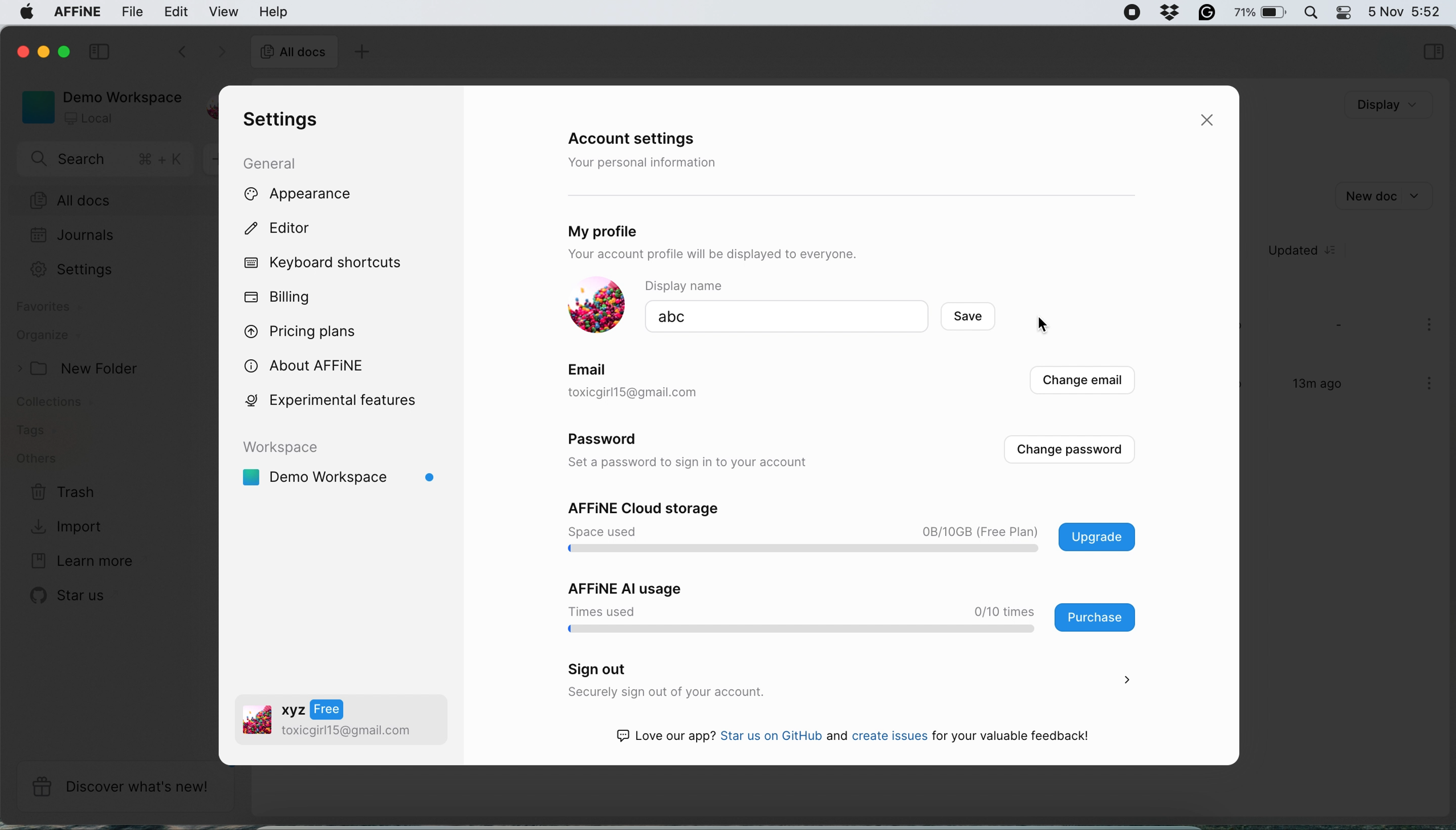 The width and height of the screenshot is (1456, 830). What do you see at coordinates (845, 681) in the screenshot?
I see `sign out securely sign out of your account` at bounding box center [845, 681].